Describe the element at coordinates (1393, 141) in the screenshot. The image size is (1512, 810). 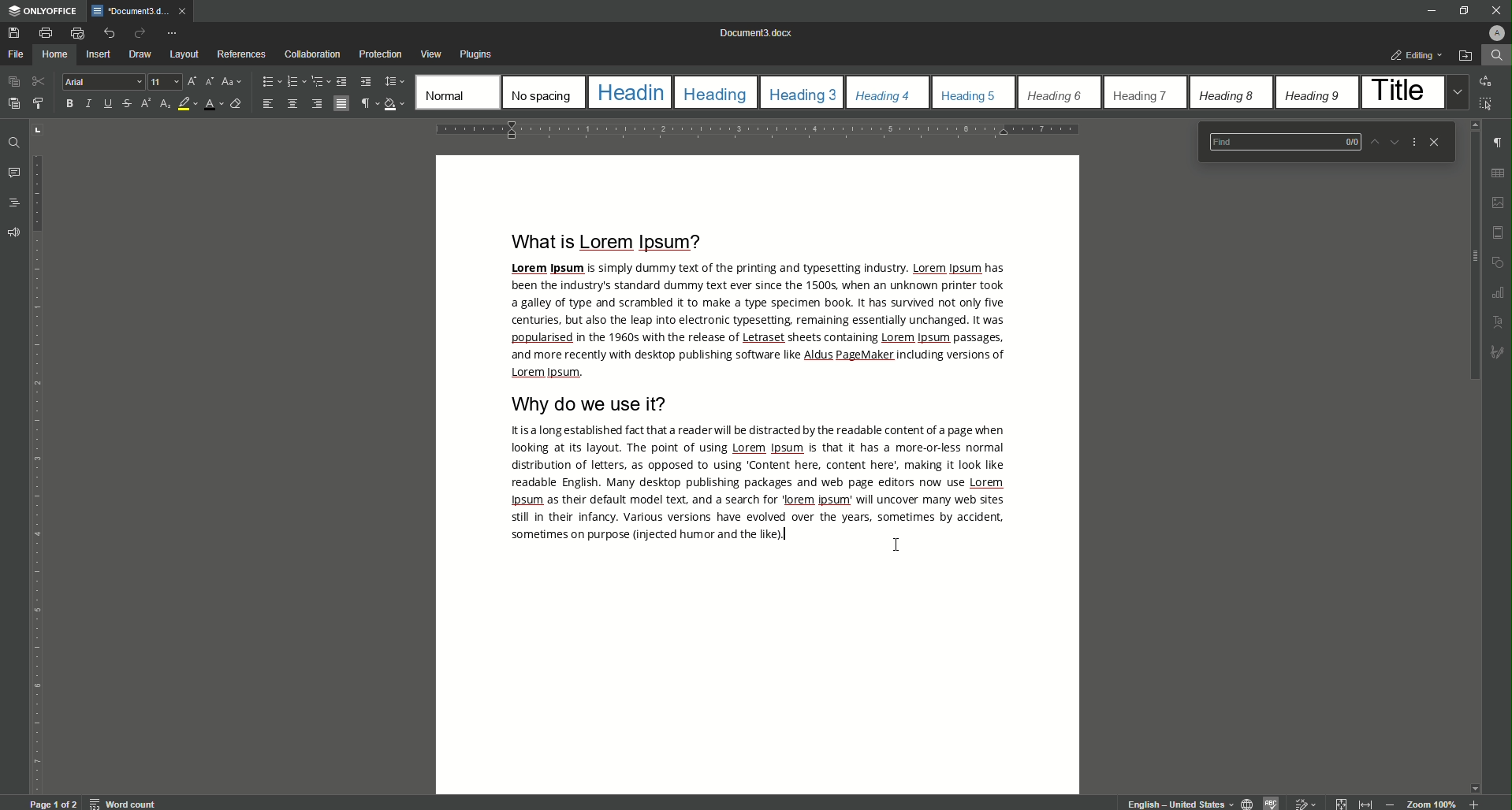
I see `Down` at that location.